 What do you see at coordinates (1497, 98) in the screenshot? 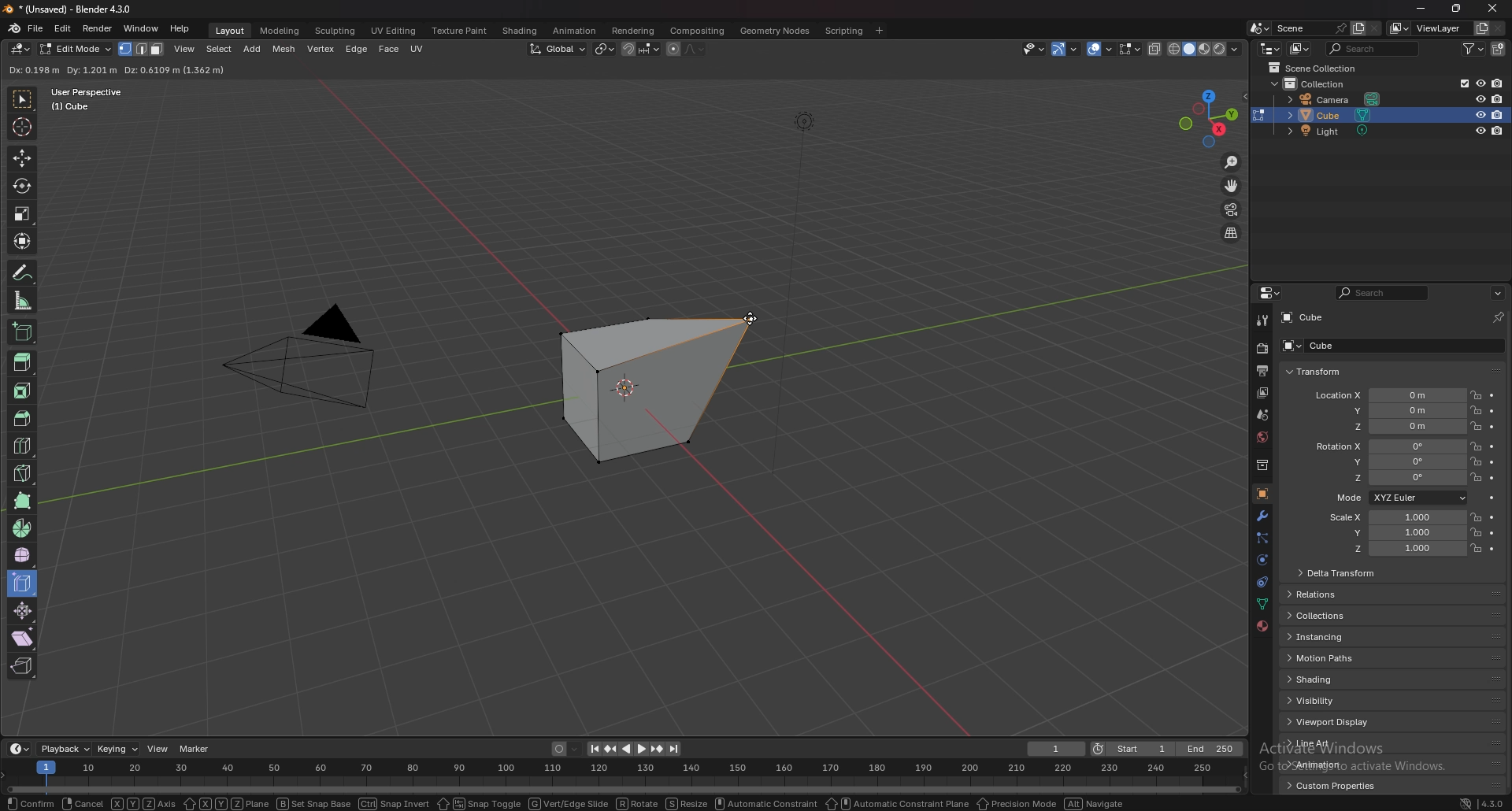
I see `disable in render` at bounding box center [1497, 98].